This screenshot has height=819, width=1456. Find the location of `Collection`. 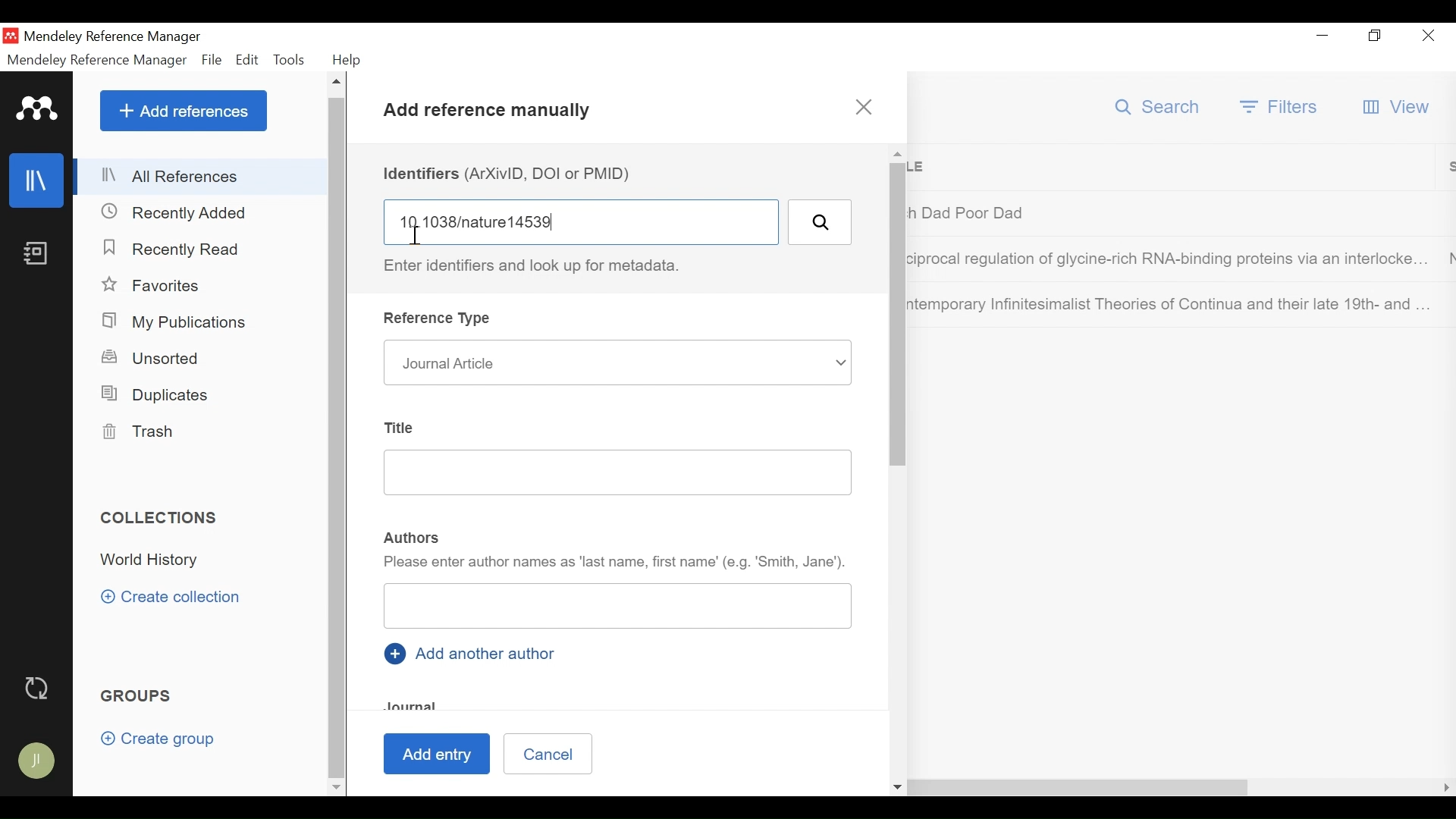

Collection is located at coordinates (208, 561).